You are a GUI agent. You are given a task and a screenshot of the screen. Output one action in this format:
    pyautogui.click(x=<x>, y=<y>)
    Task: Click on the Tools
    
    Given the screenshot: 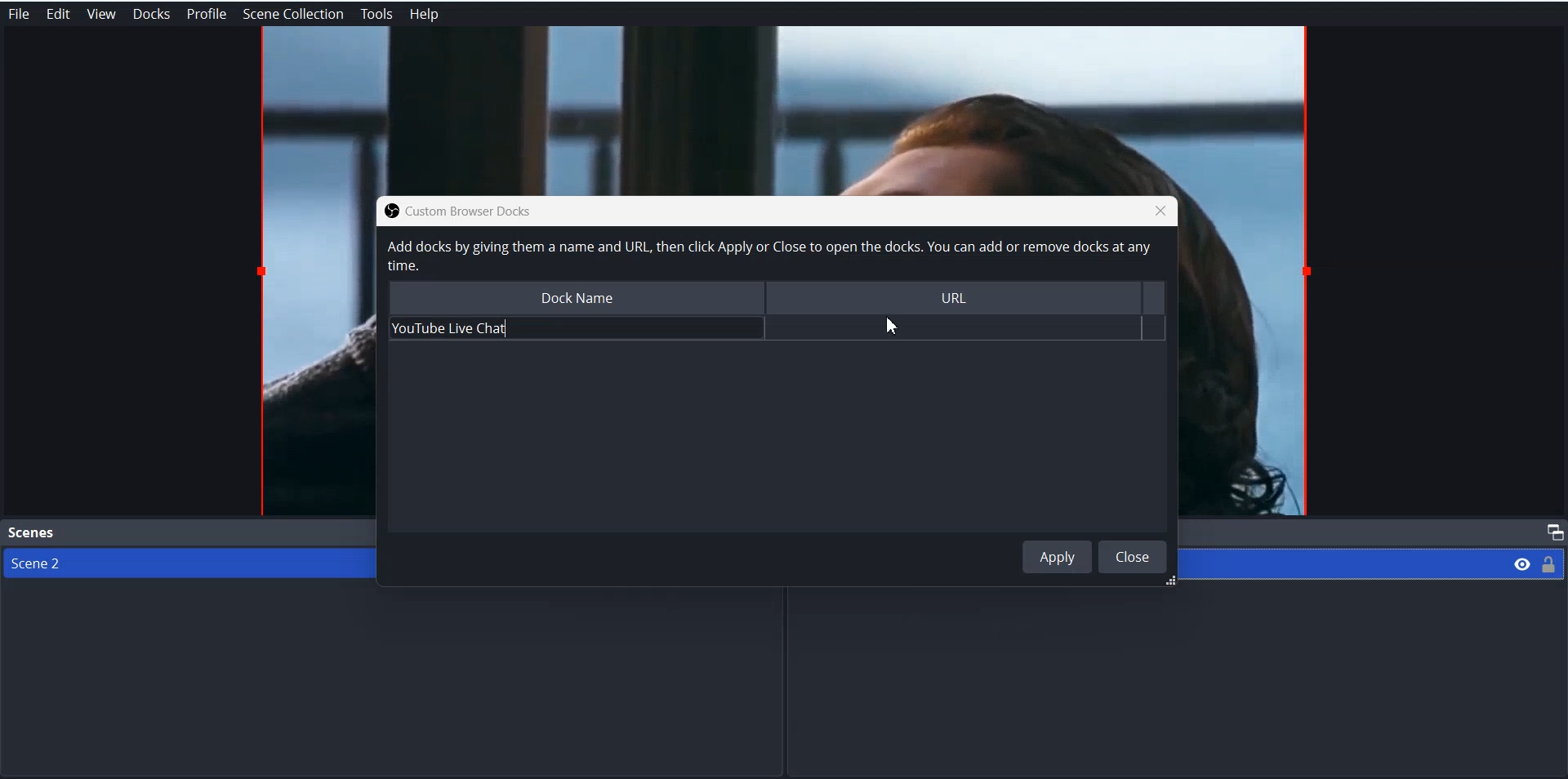 What is the action you would take?
    pyautogui.click(x=376, y=15)
    